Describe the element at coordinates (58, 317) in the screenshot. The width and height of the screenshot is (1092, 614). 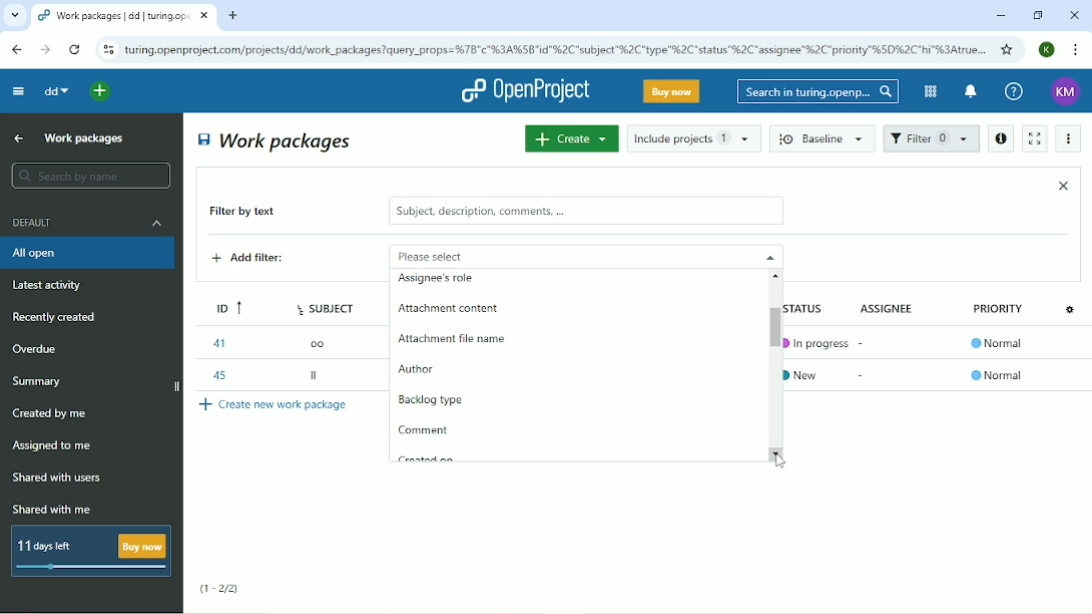
I see `Recently created` at that location.